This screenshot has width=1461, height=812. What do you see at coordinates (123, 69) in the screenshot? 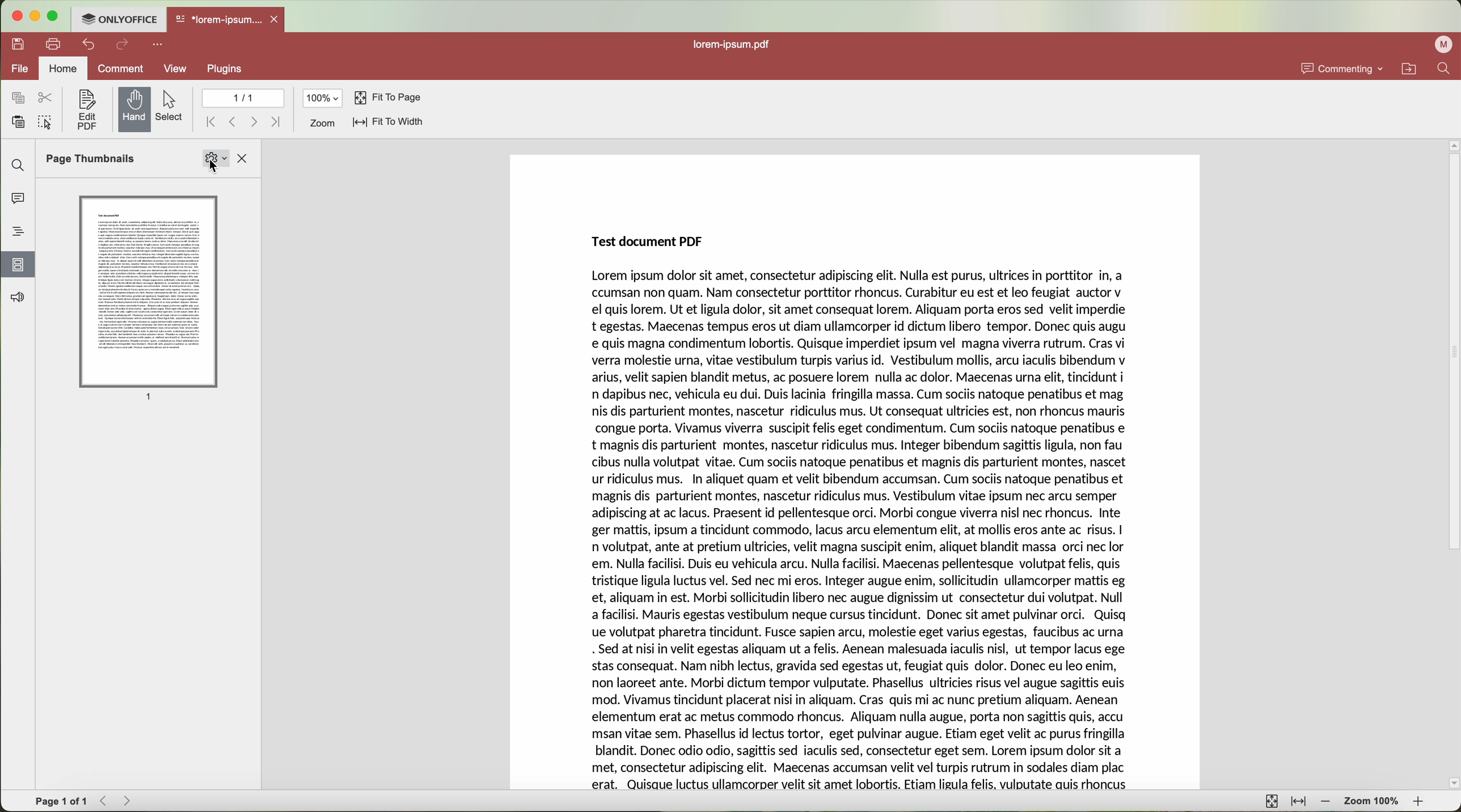
I see `comment` at bounding box center [123, 69].